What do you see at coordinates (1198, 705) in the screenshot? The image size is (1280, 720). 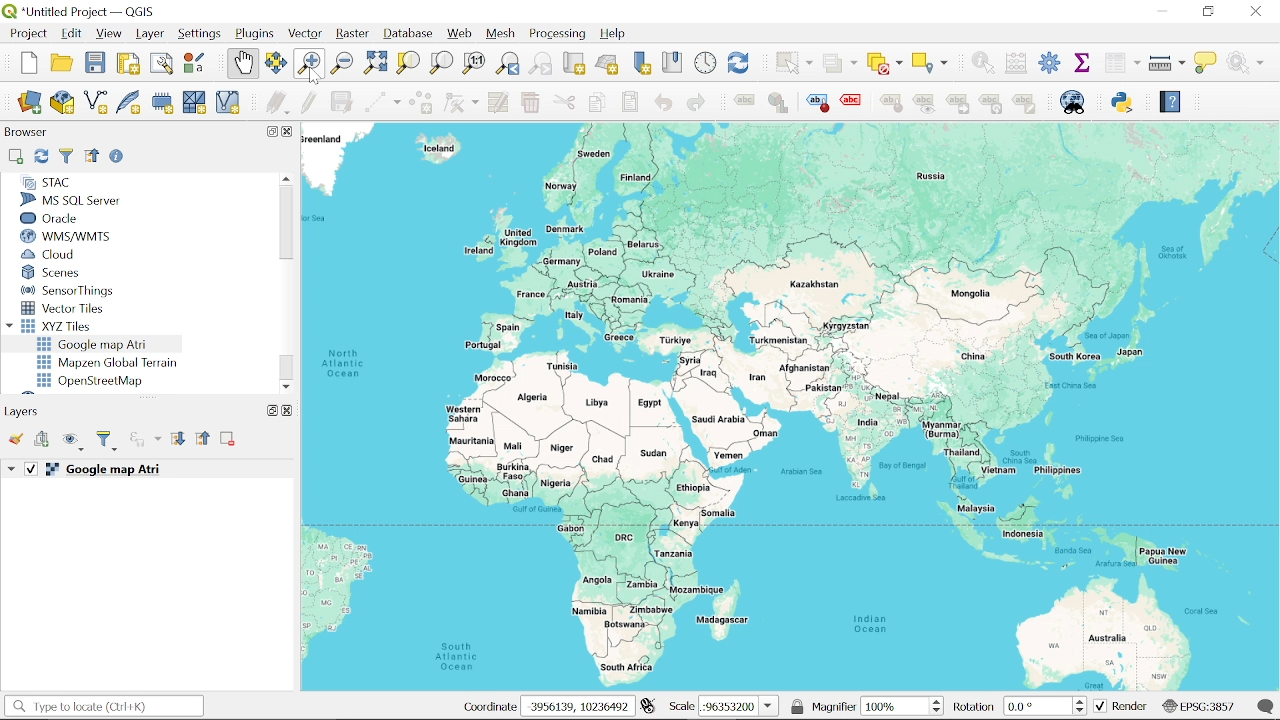 I see `Current CRS` at bounding box center [1198, 705].